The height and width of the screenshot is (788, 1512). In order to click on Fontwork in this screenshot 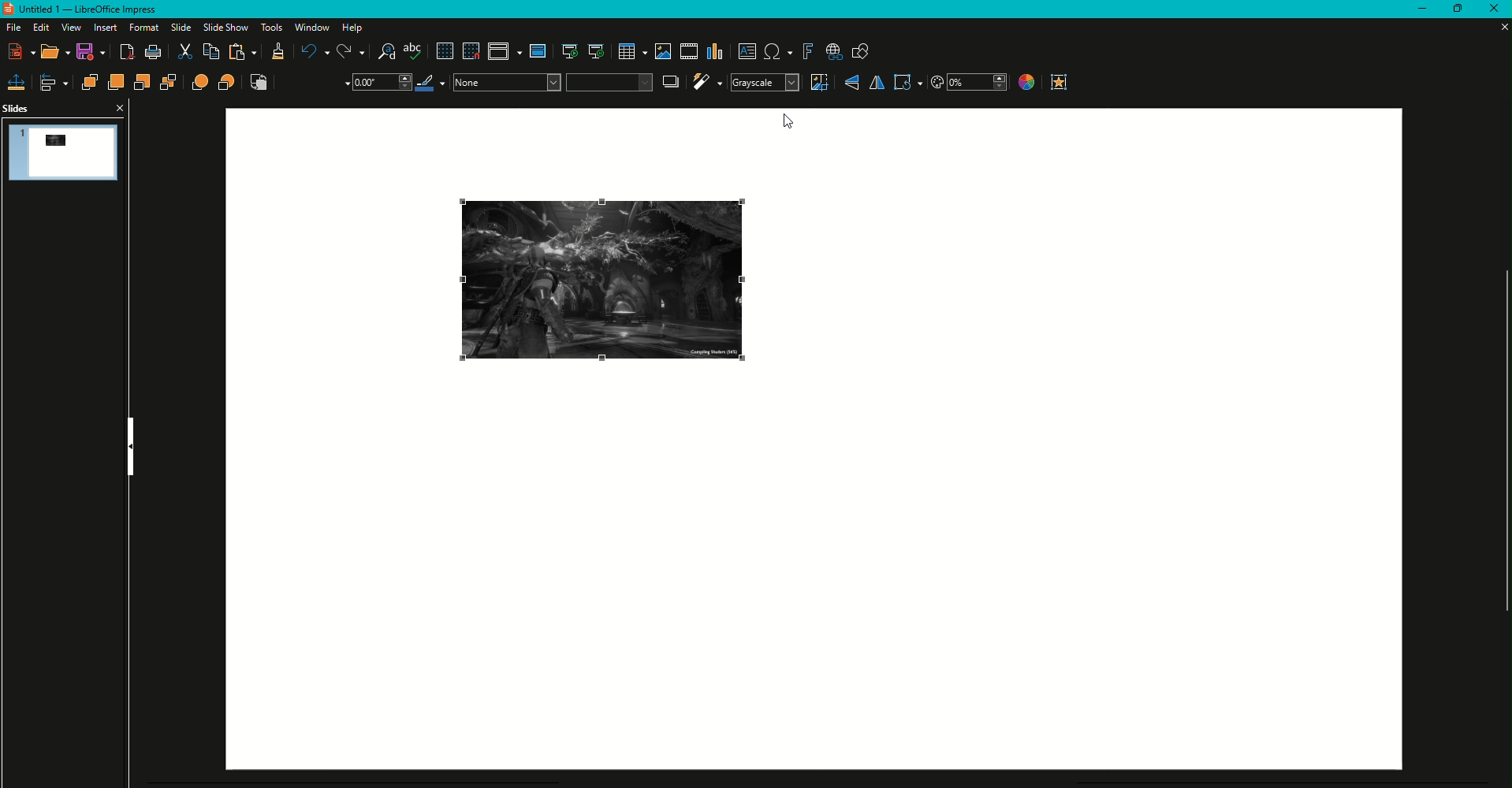, I will do `click(807, 52)`.